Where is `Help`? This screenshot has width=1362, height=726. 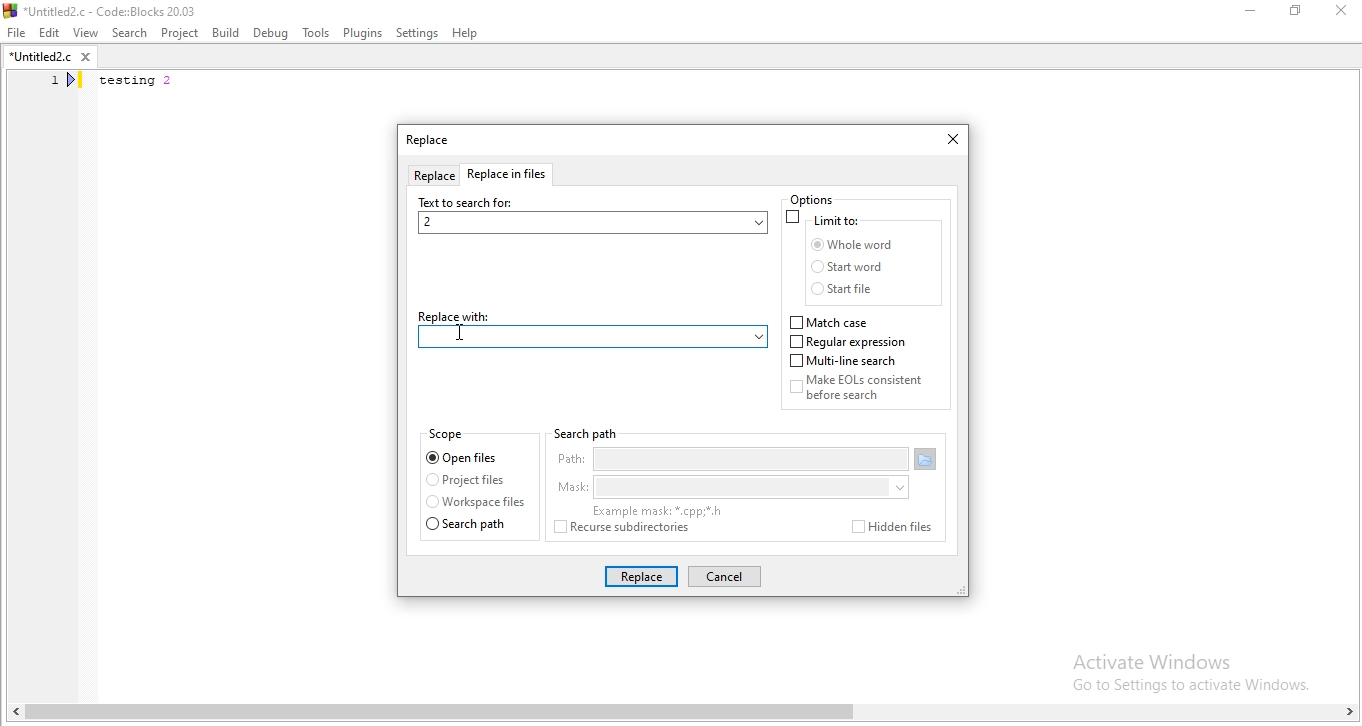
Help is located at coordinates (467, 33).